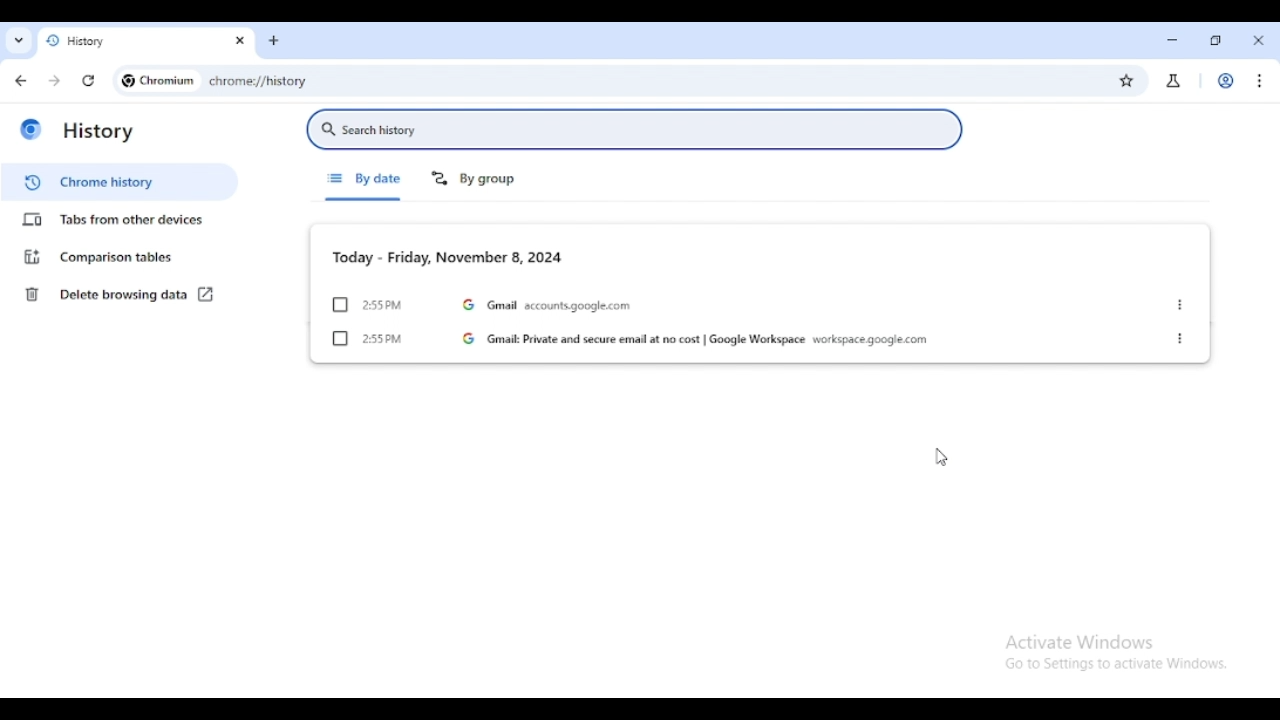  I want to click on Gmail accounts.google.com, so click(551, 304).